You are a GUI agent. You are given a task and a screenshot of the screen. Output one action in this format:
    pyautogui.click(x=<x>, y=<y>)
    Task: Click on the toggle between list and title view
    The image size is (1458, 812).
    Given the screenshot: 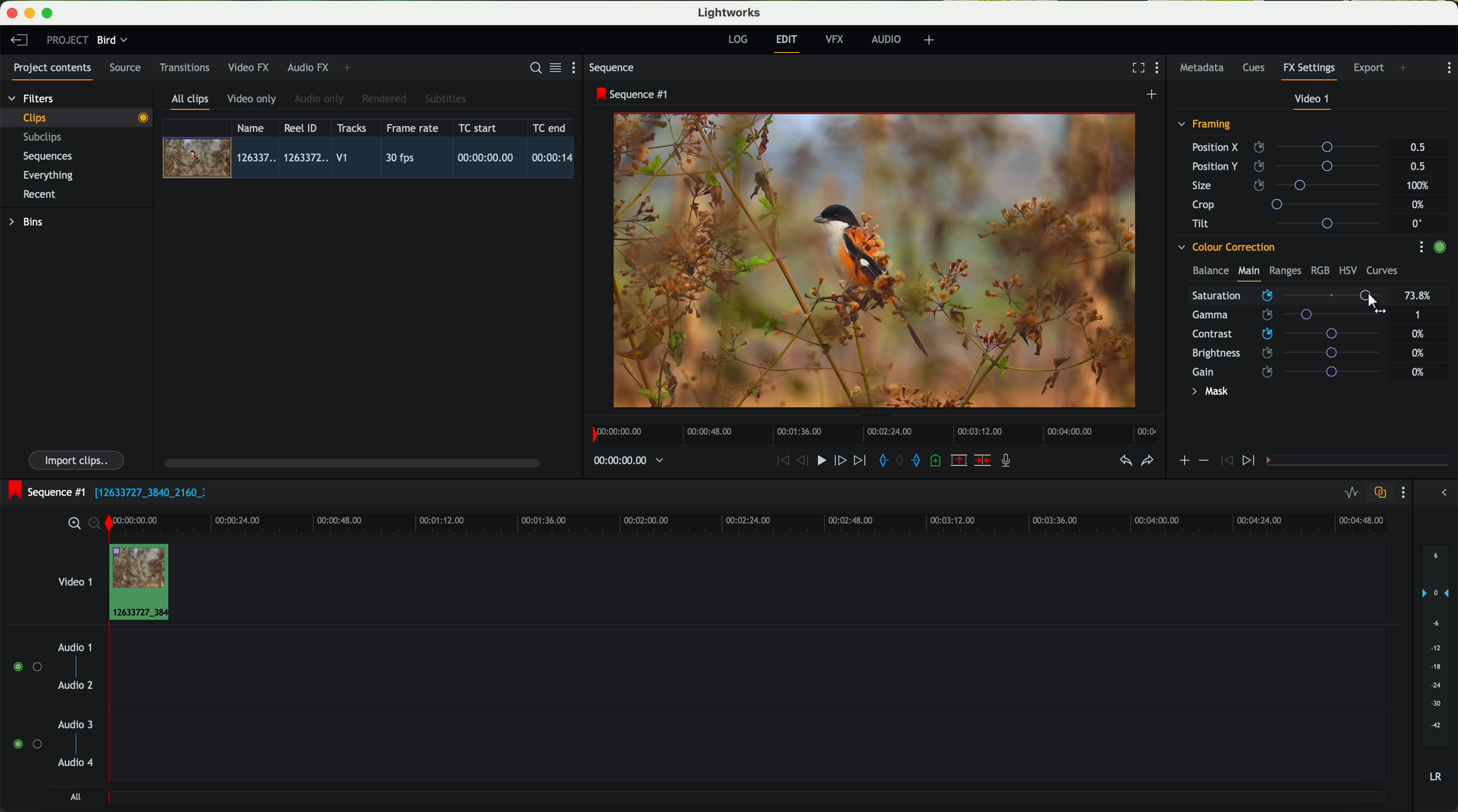 What is the action you would take?
    pyautogui.click(x=554, y=67)
    